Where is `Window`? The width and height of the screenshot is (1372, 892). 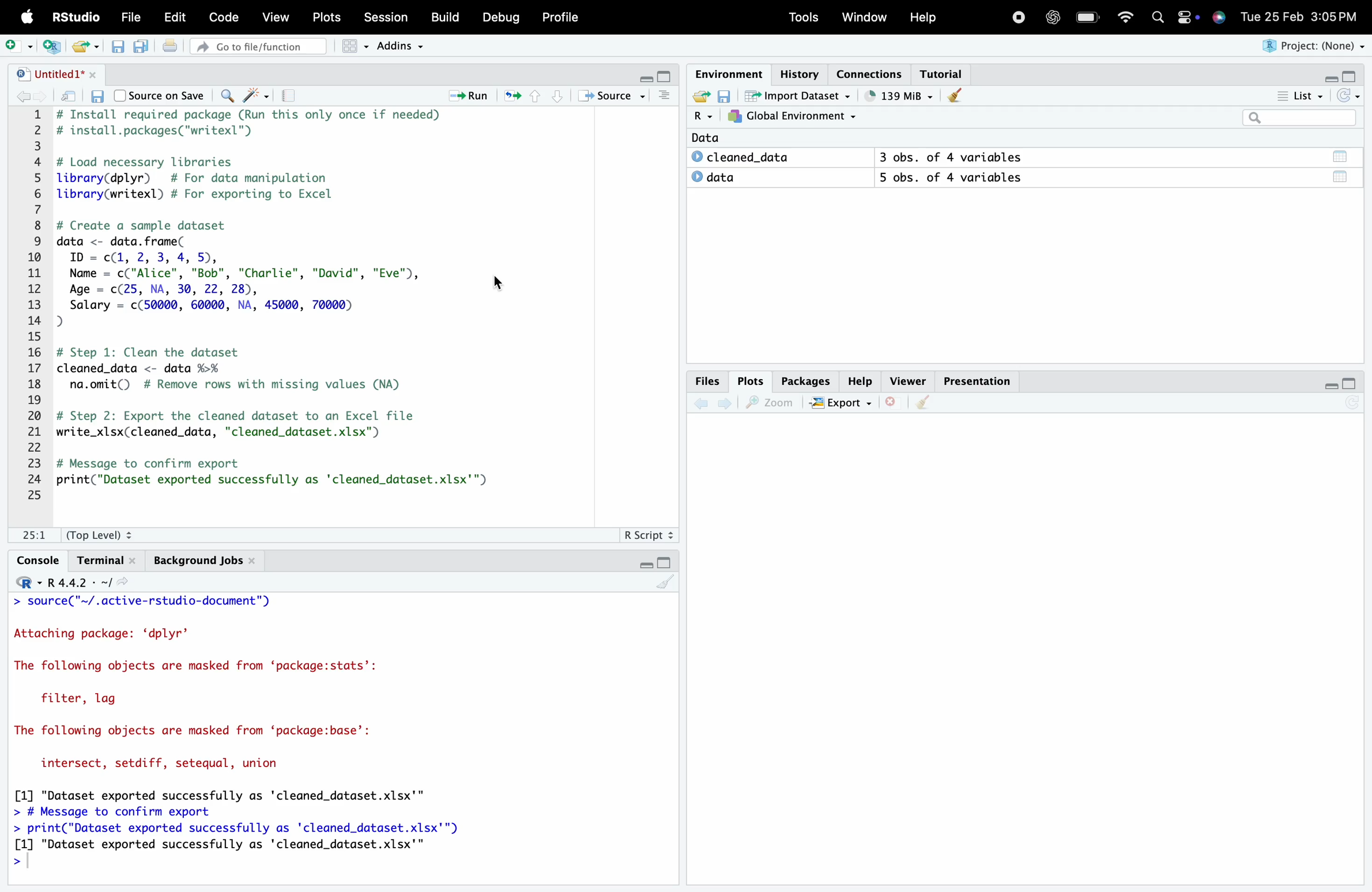
Window is located at coordinates (866, 18).